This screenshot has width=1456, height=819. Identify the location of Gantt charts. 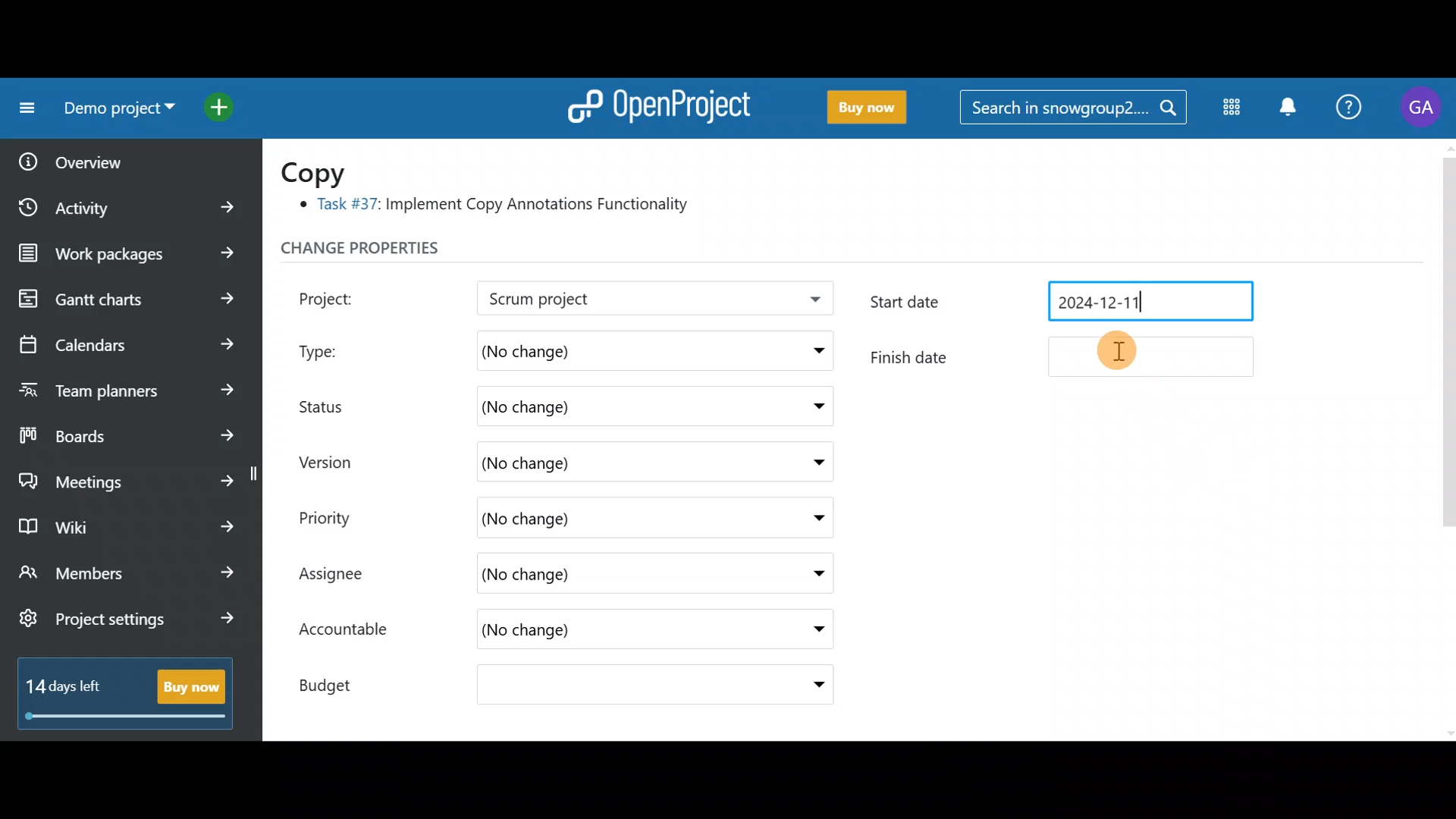
(124, 300).